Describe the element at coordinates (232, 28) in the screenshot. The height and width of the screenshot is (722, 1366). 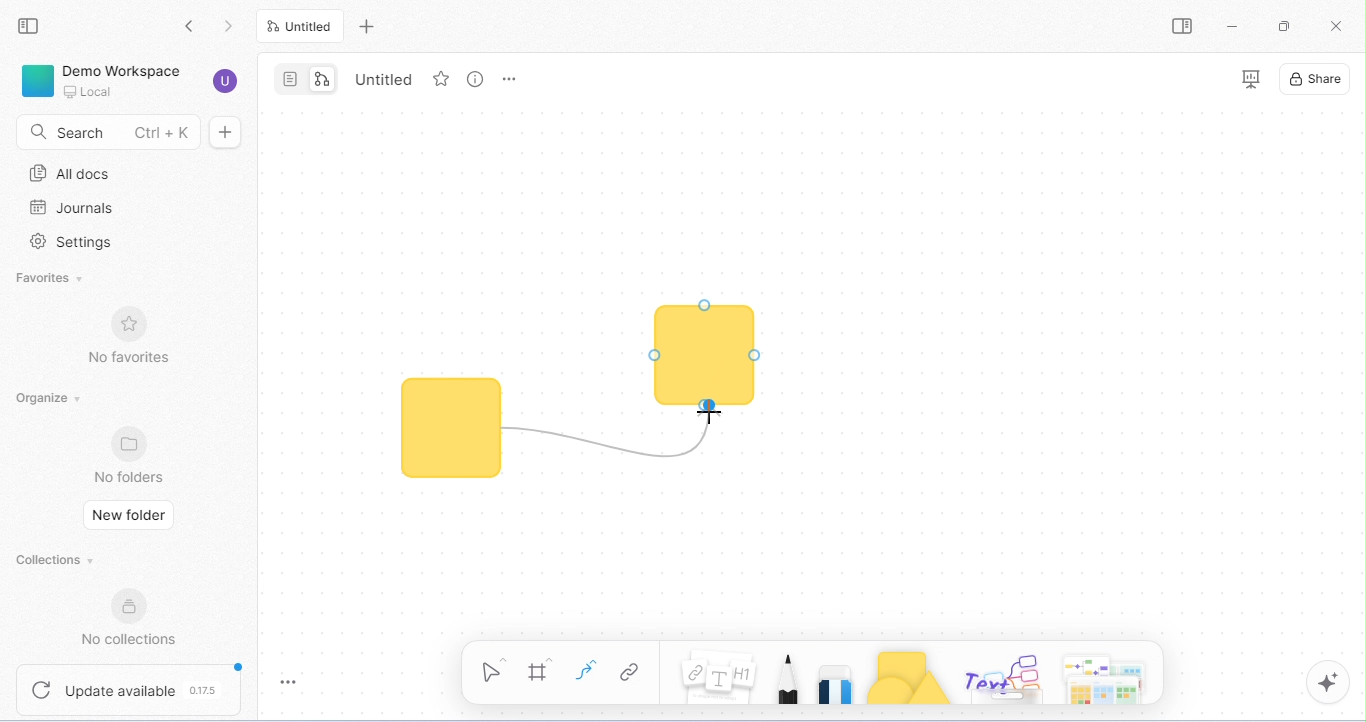
I see `go previous` at that location.